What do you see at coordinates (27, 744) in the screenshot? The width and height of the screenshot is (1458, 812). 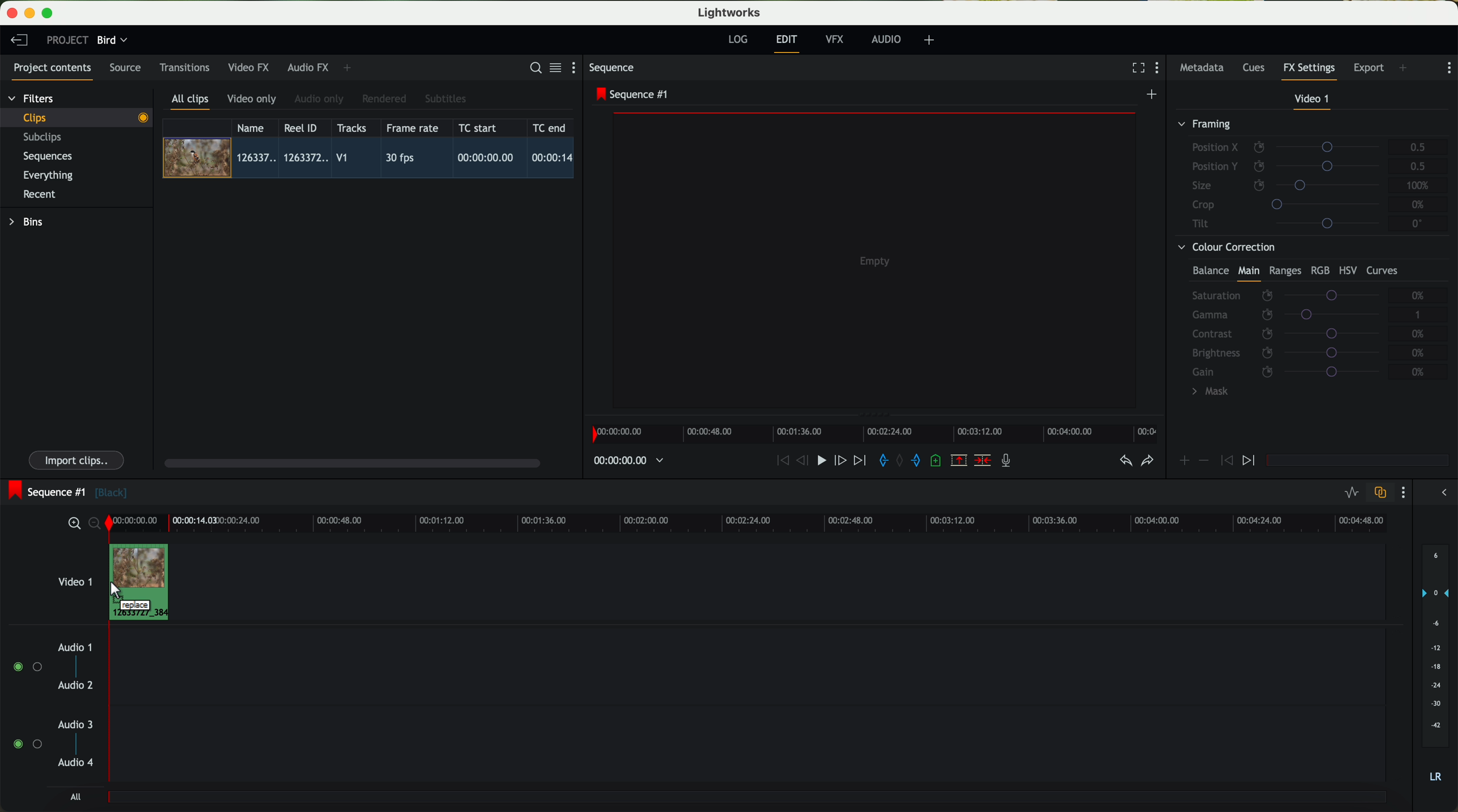 I see `enable audio` at bounding box center [27, 744].